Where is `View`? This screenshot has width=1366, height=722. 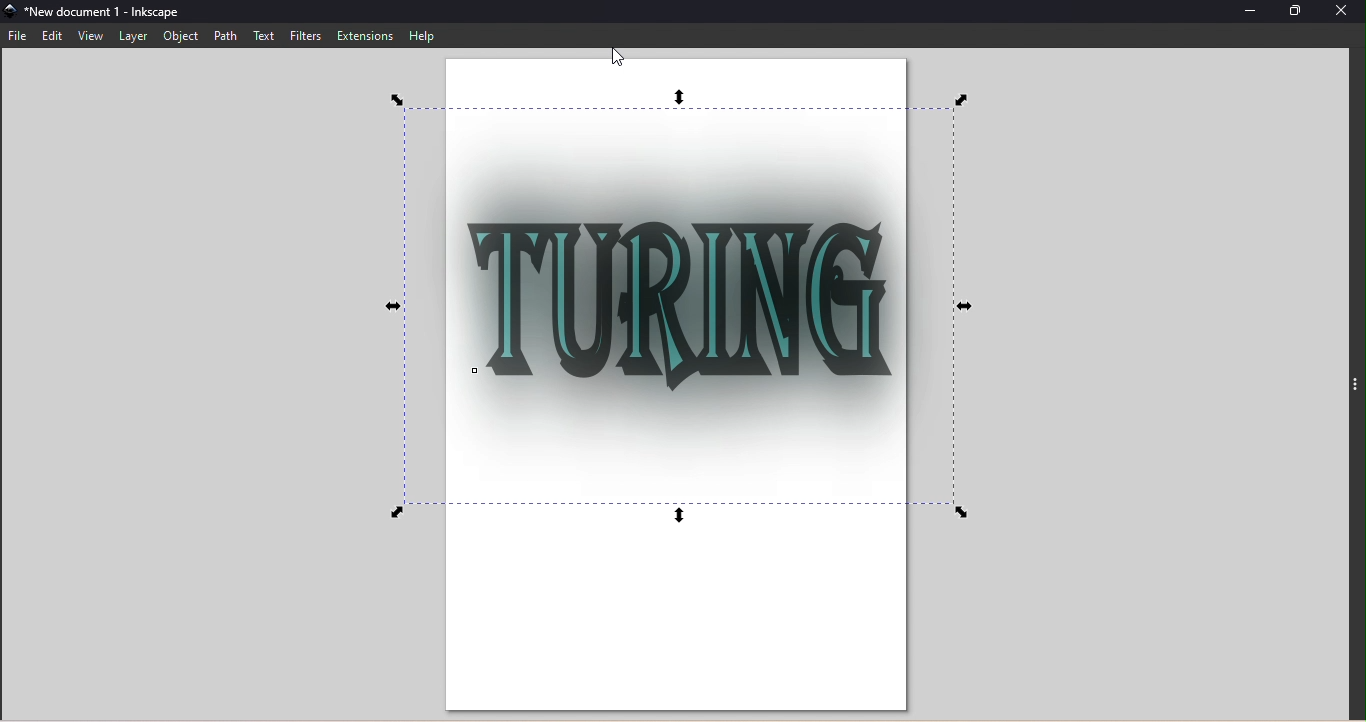 View is located at coordinates (91, 36).